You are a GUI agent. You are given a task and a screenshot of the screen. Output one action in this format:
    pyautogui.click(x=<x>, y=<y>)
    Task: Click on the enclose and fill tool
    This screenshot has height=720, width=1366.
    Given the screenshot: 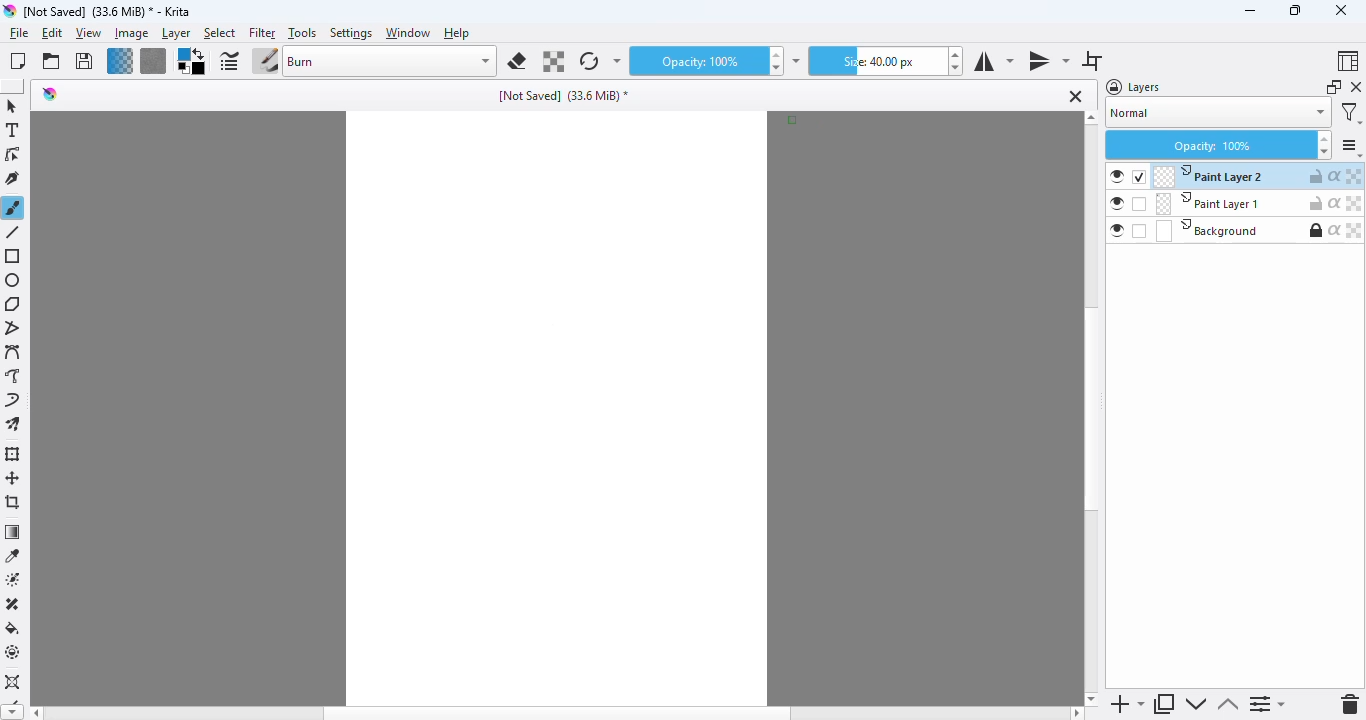 What is the action you would take?
    pyautogui.click(x=13, y=652)
    